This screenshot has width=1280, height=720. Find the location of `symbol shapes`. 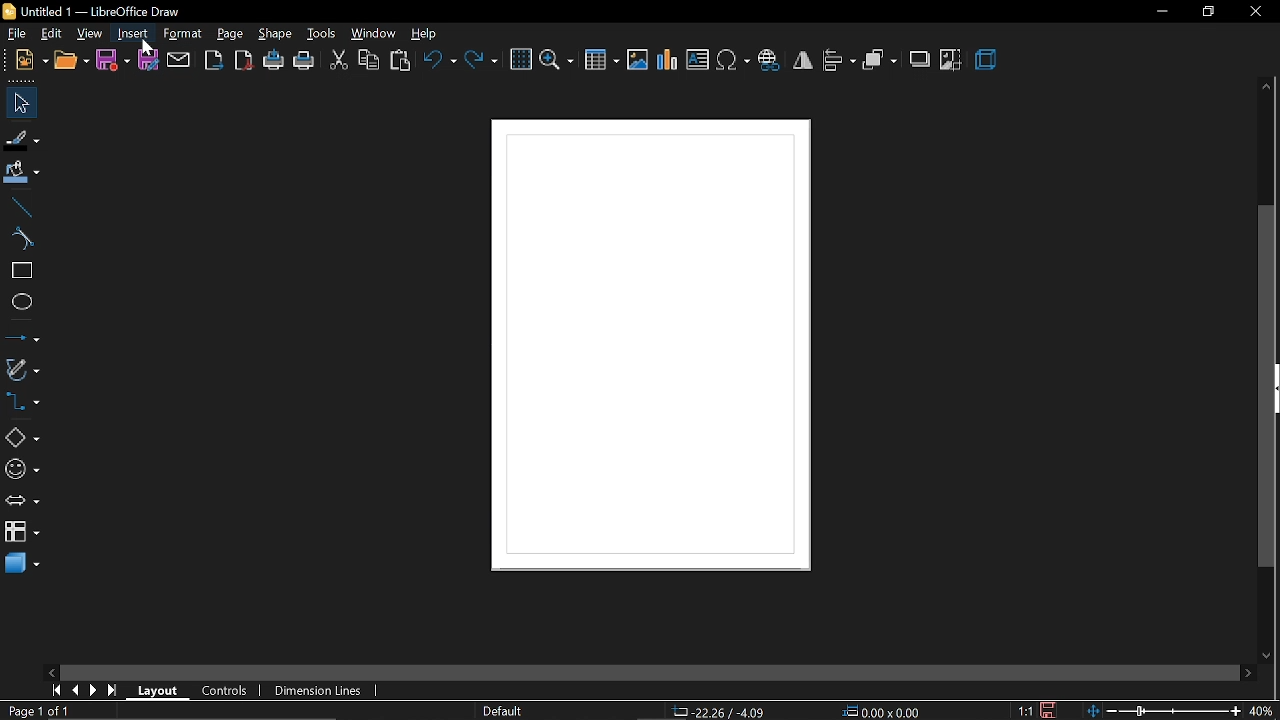

symbol shapes is located at coordinates (22, 471).